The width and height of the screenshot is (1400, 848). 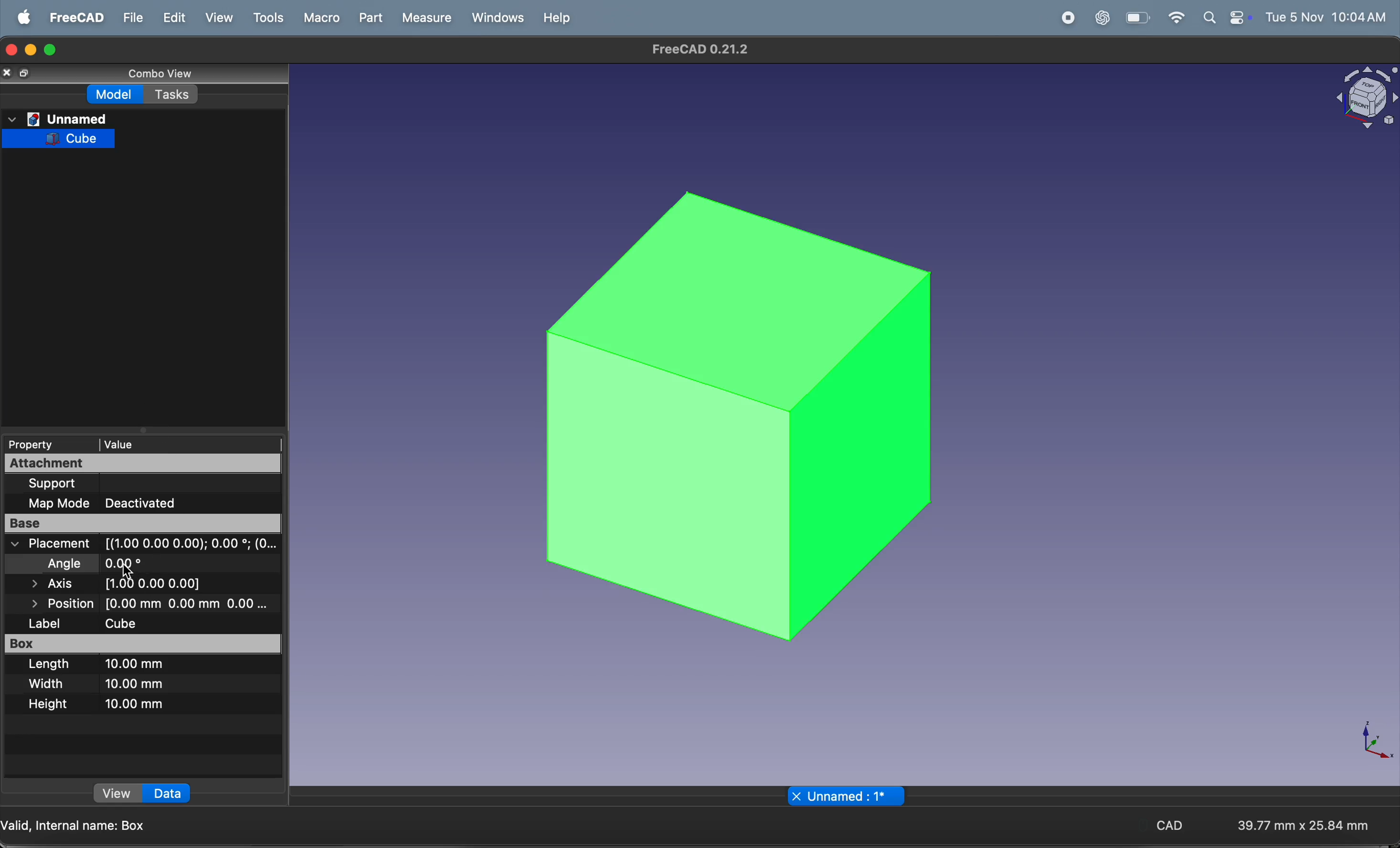 I want to click on wifi, so click(x=1137, y=16).